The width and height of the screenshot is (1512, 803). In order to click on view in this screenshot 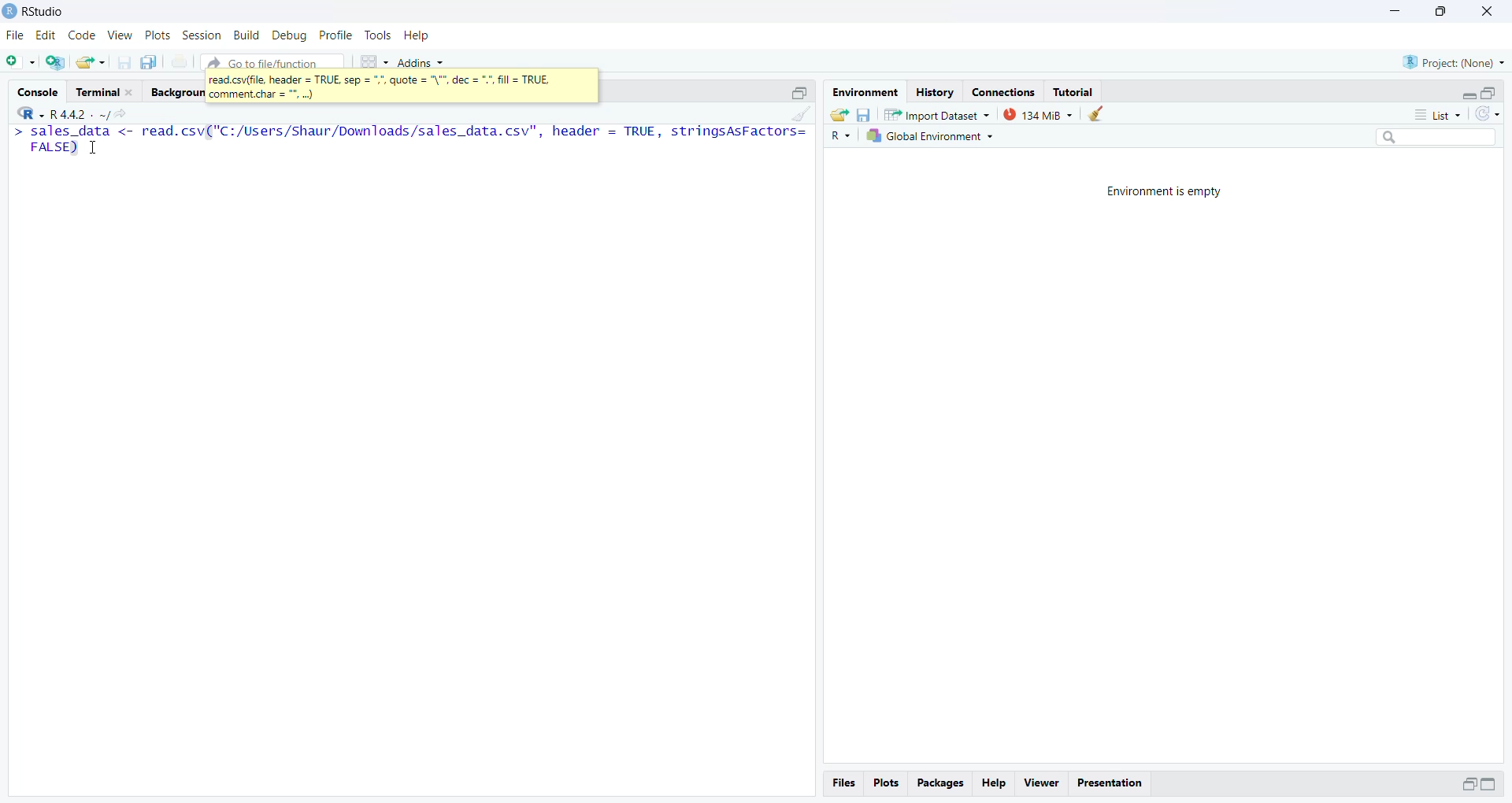, I will do `click(124, 35)`.